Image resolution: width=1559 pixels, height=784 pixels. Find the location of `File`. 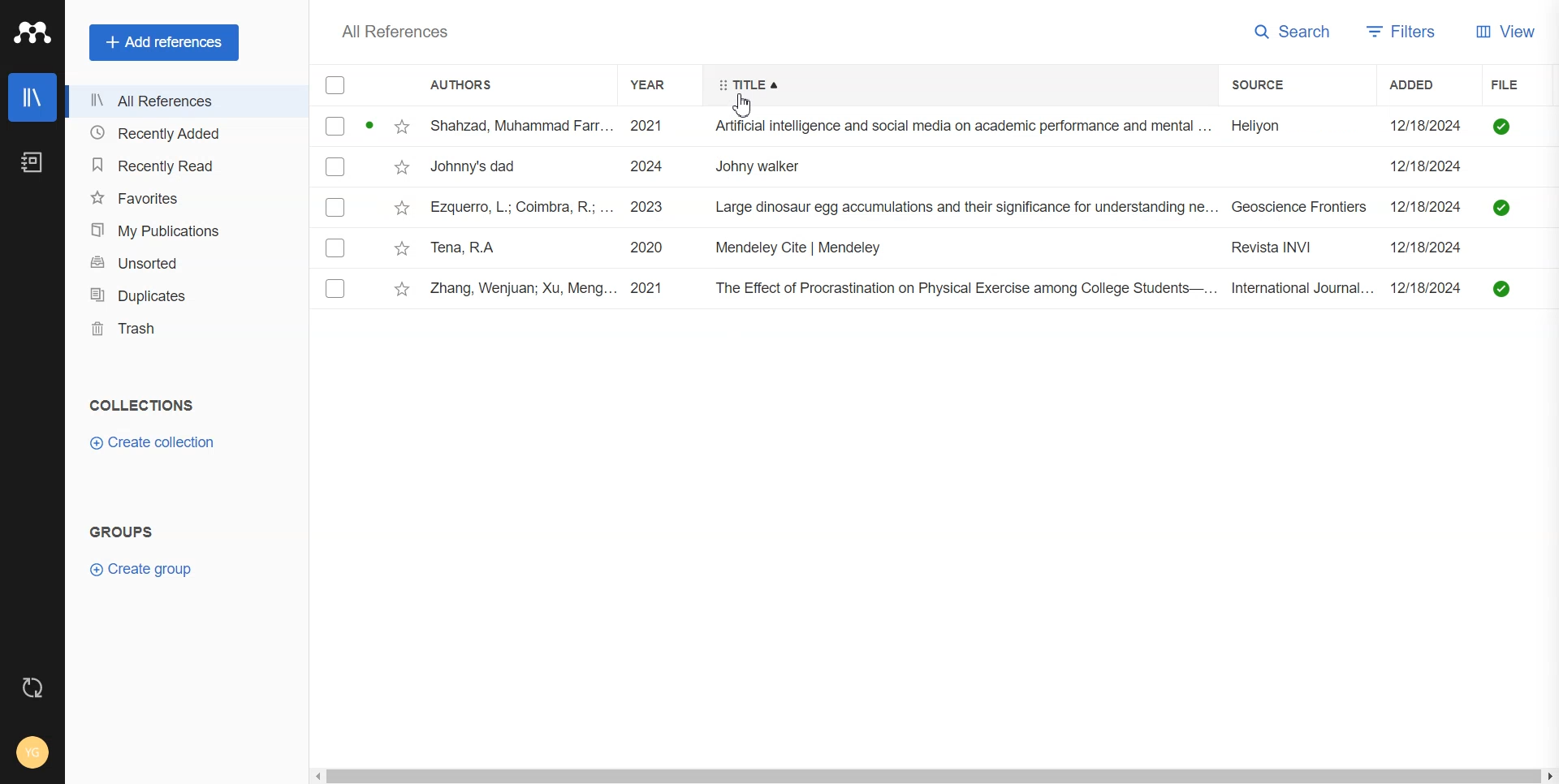

File is located at coordinates (993, 207).